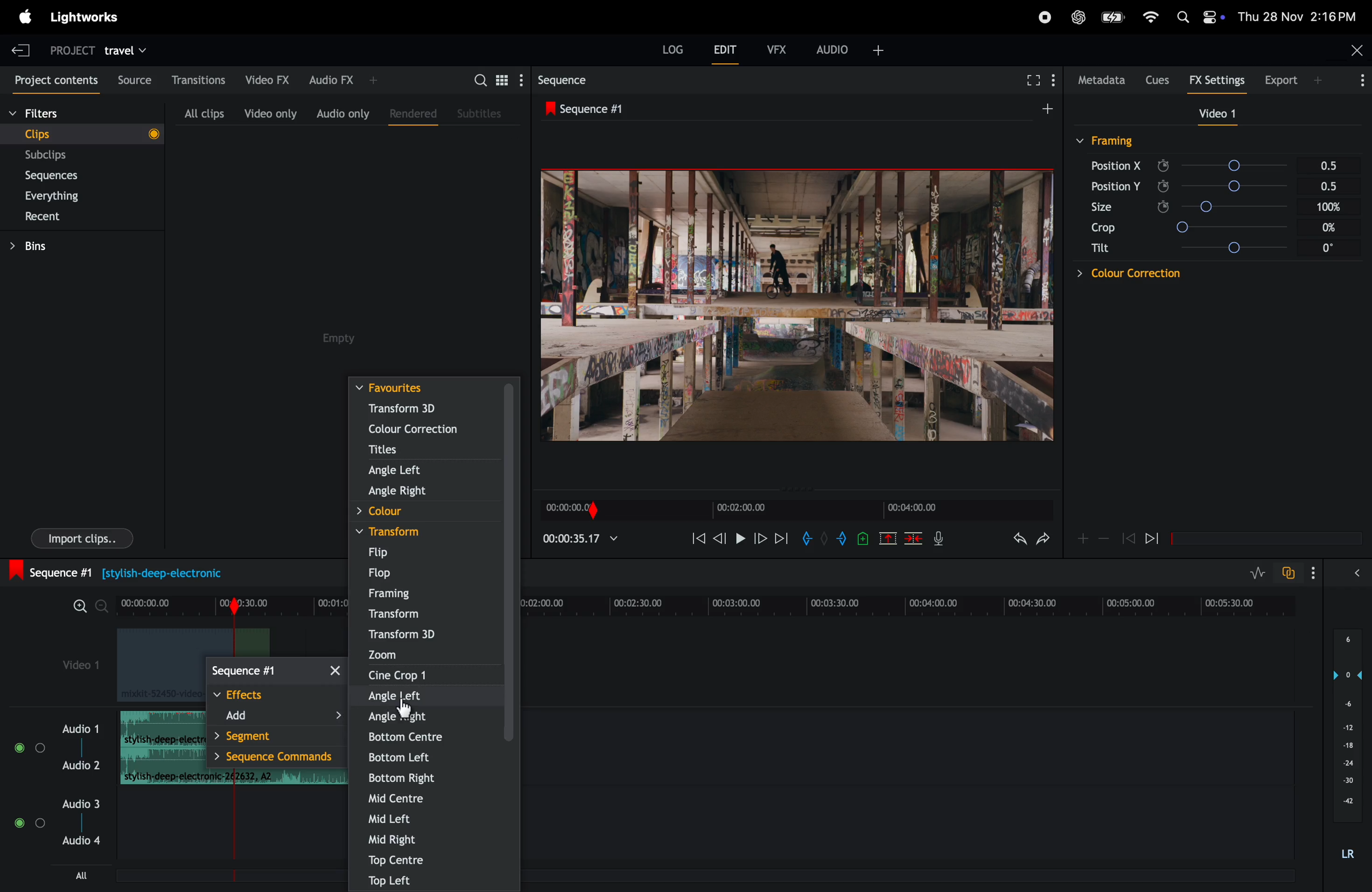 This screenshot has width=1372, height=892. I want to click on seqment, so click(273, 737).